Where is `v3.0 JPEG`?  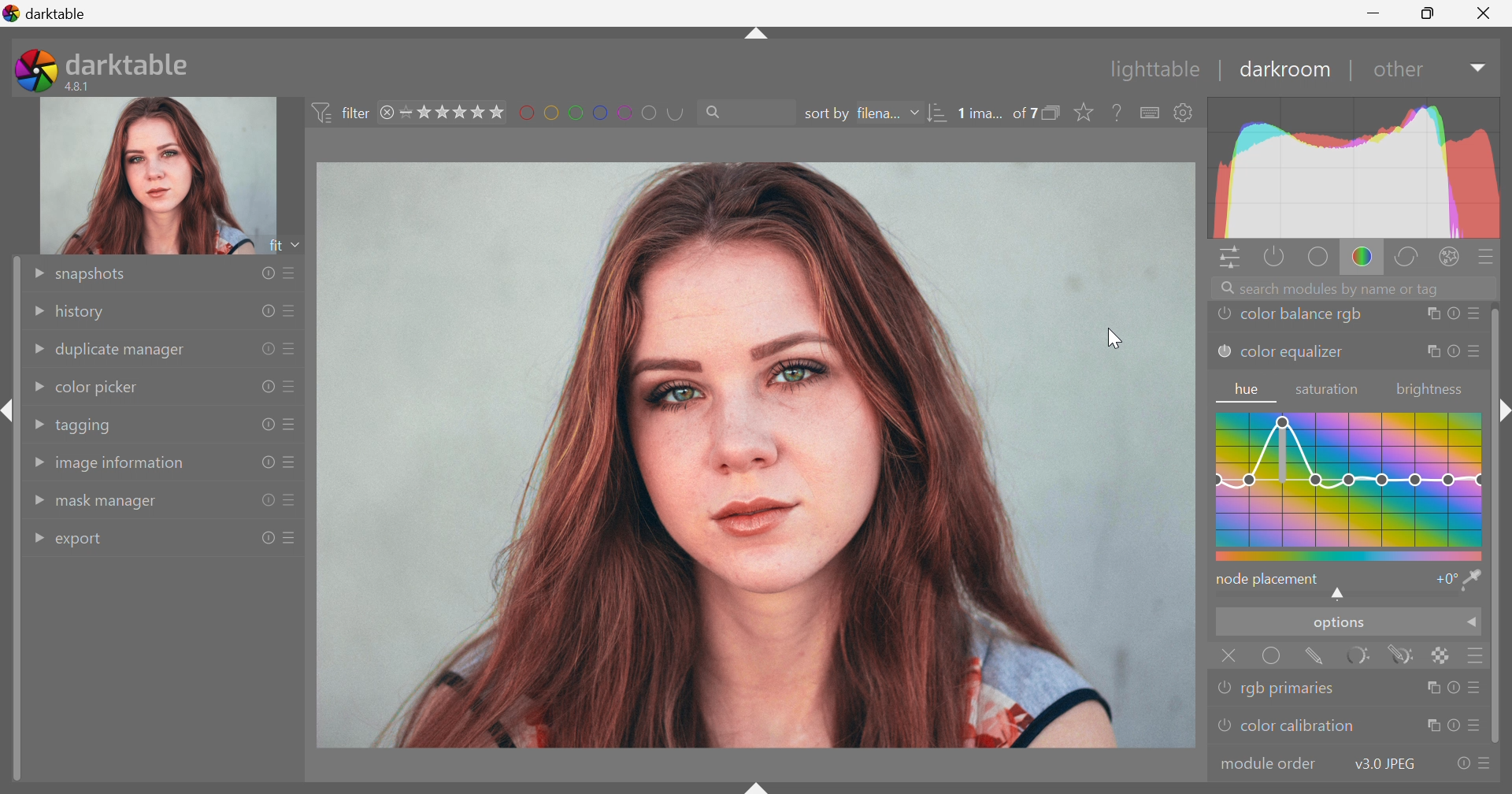 v3.0 JPEG is located at coordinates (1381, 764).